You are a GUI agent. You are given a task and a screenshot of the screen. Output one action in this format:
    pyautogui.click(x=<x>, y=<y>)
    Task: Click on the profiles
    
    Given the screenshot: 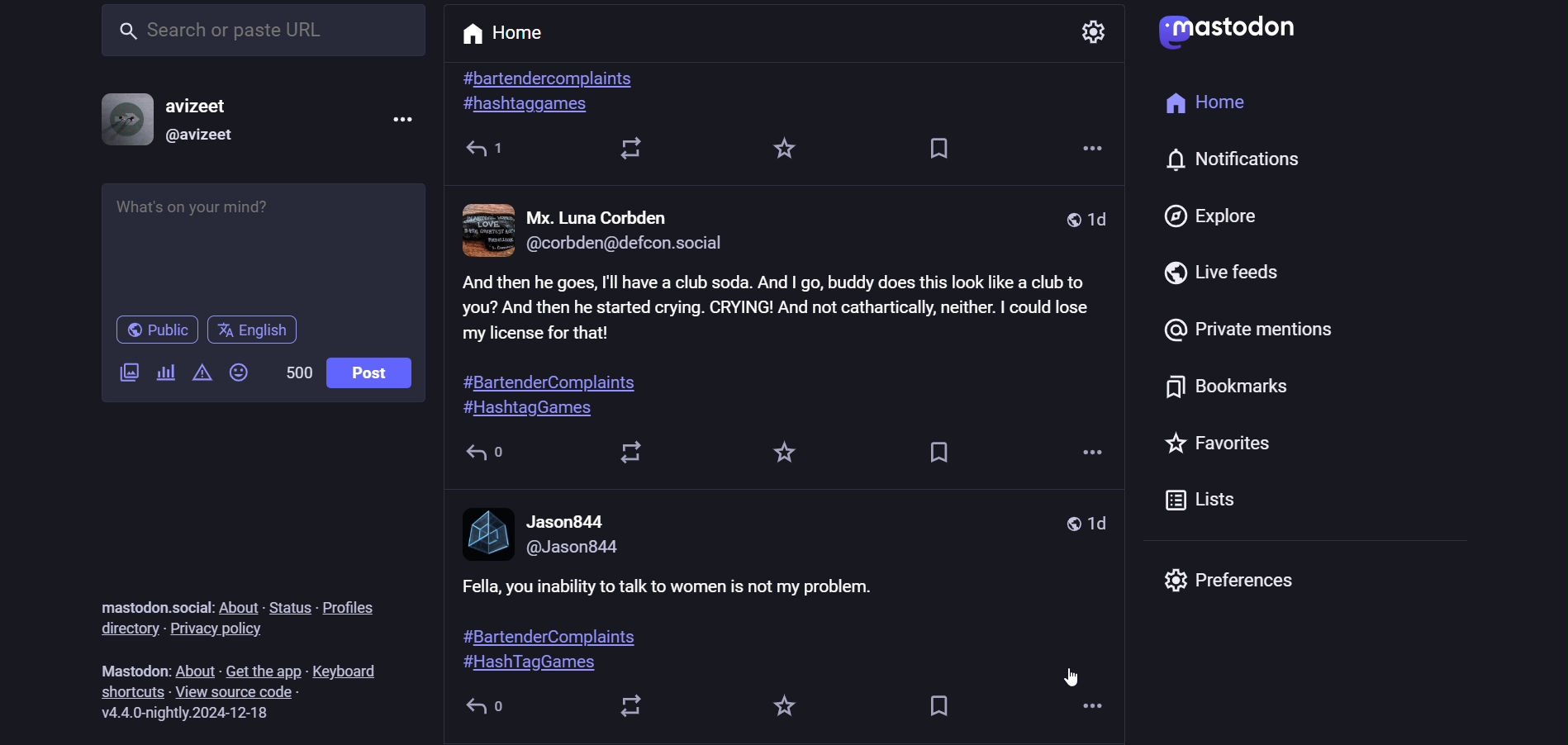 What is the action you would take?
    pyautogui.click(x=354, y=607)
    